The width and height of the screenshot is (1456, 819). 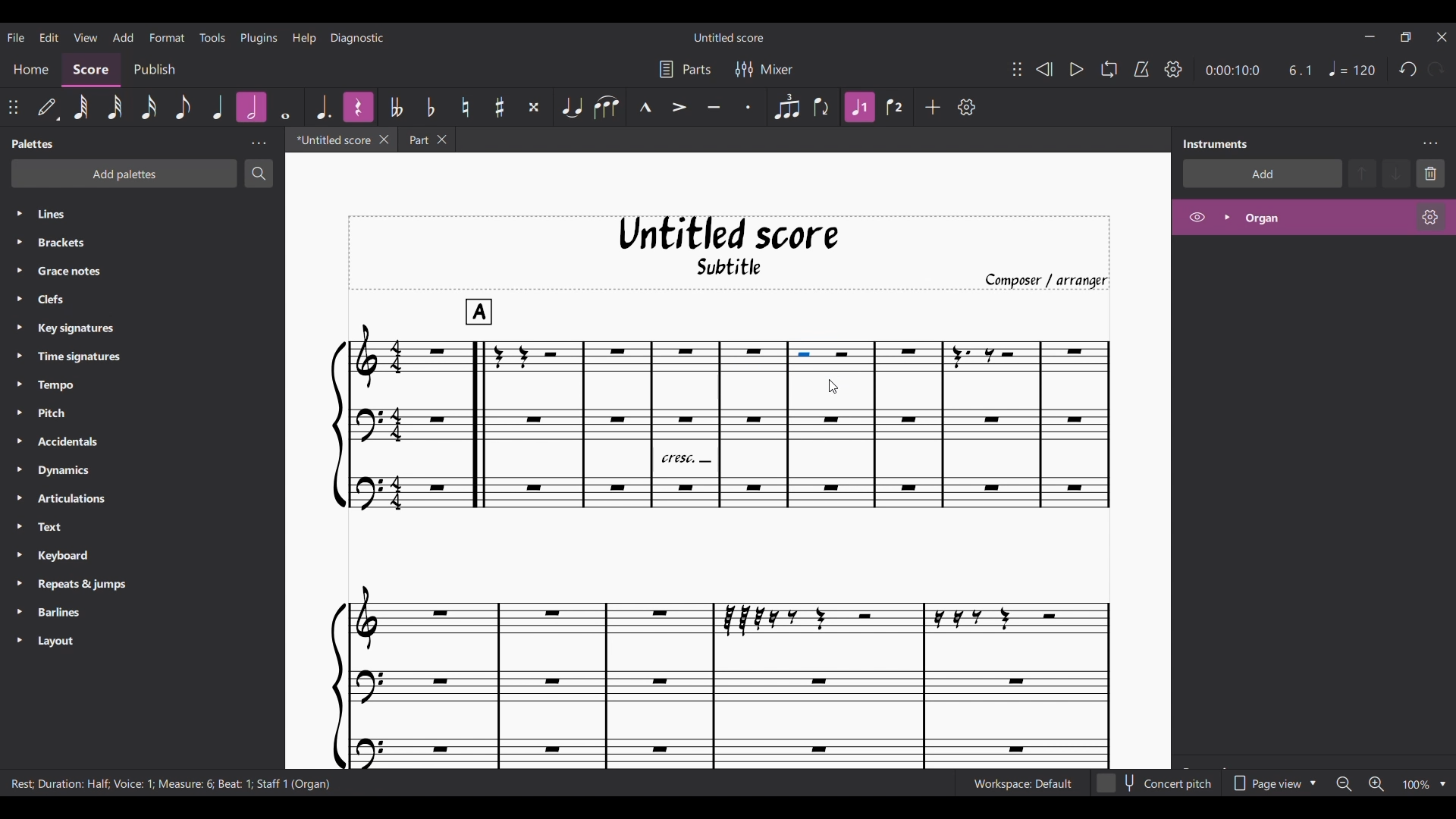 What do you see at coordinates (19, 427) in the screenshot?
I see `Expand respective palette` at bounding box center [19, 427].